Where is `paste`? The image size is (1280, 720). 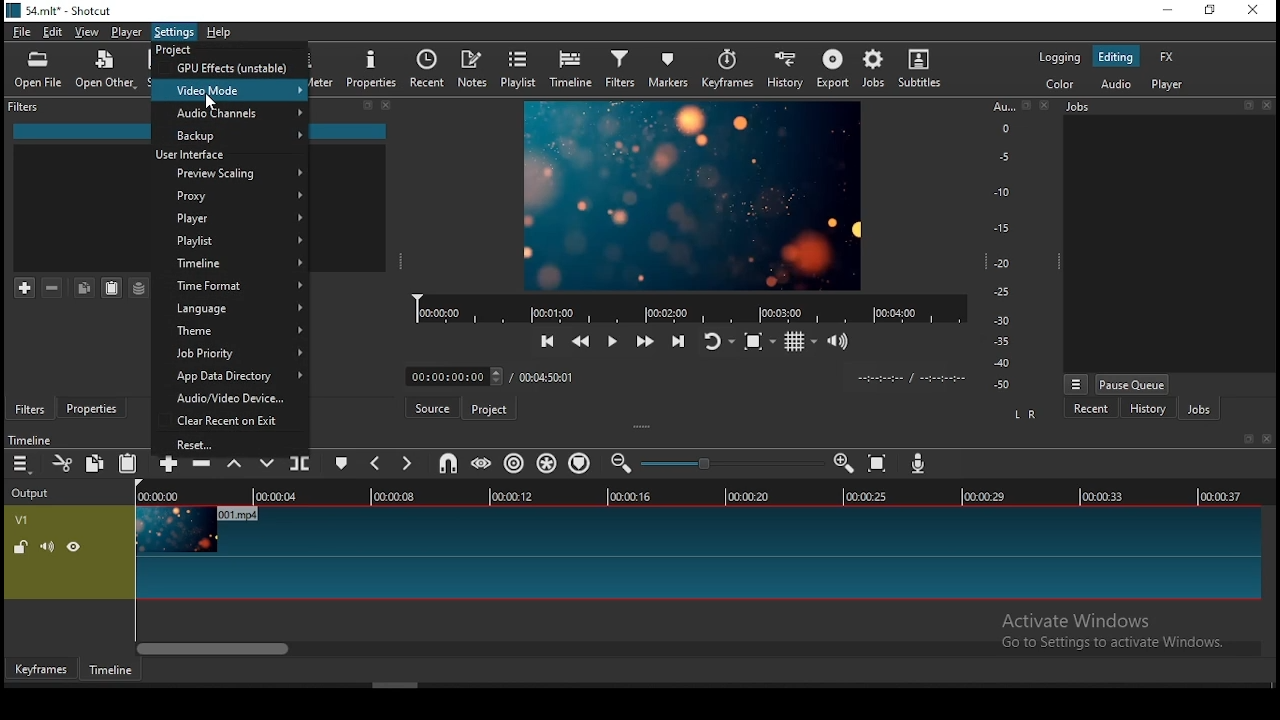
paste is located at coordinates (112, 288).